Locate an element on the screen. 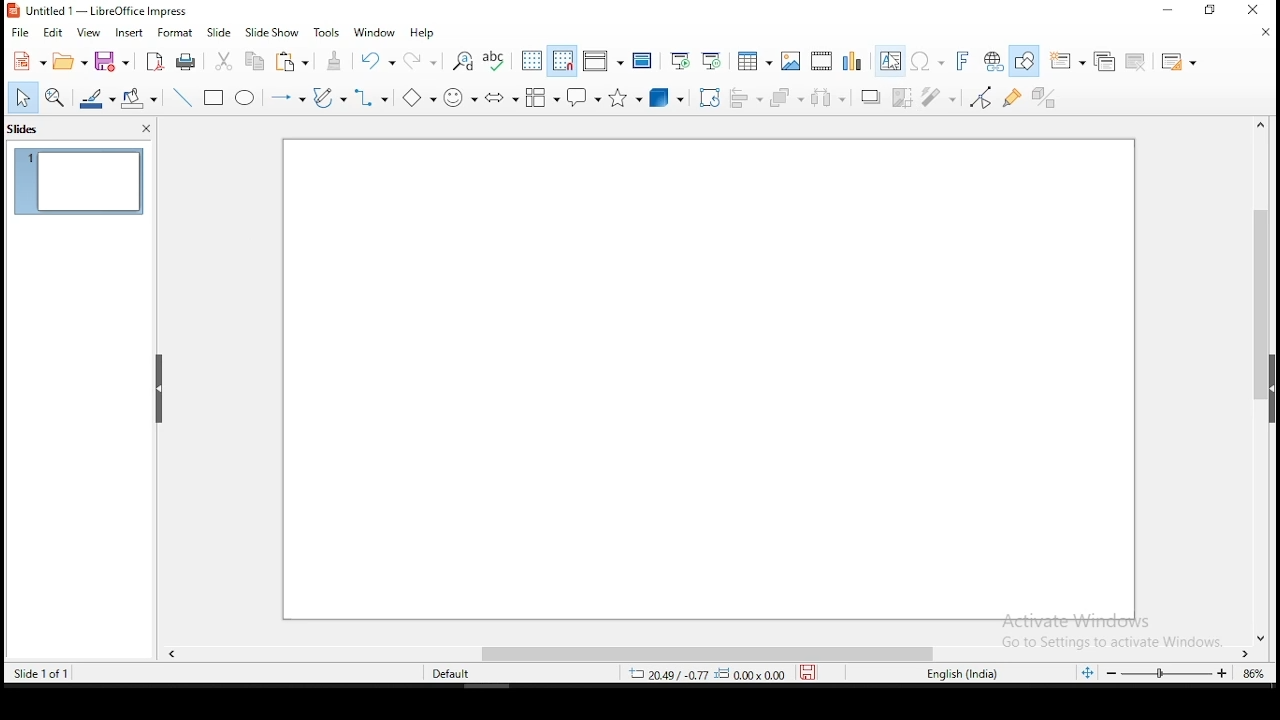 The width and height of the screenshot is (1280, 720). file is located at coordinates (20, 31).